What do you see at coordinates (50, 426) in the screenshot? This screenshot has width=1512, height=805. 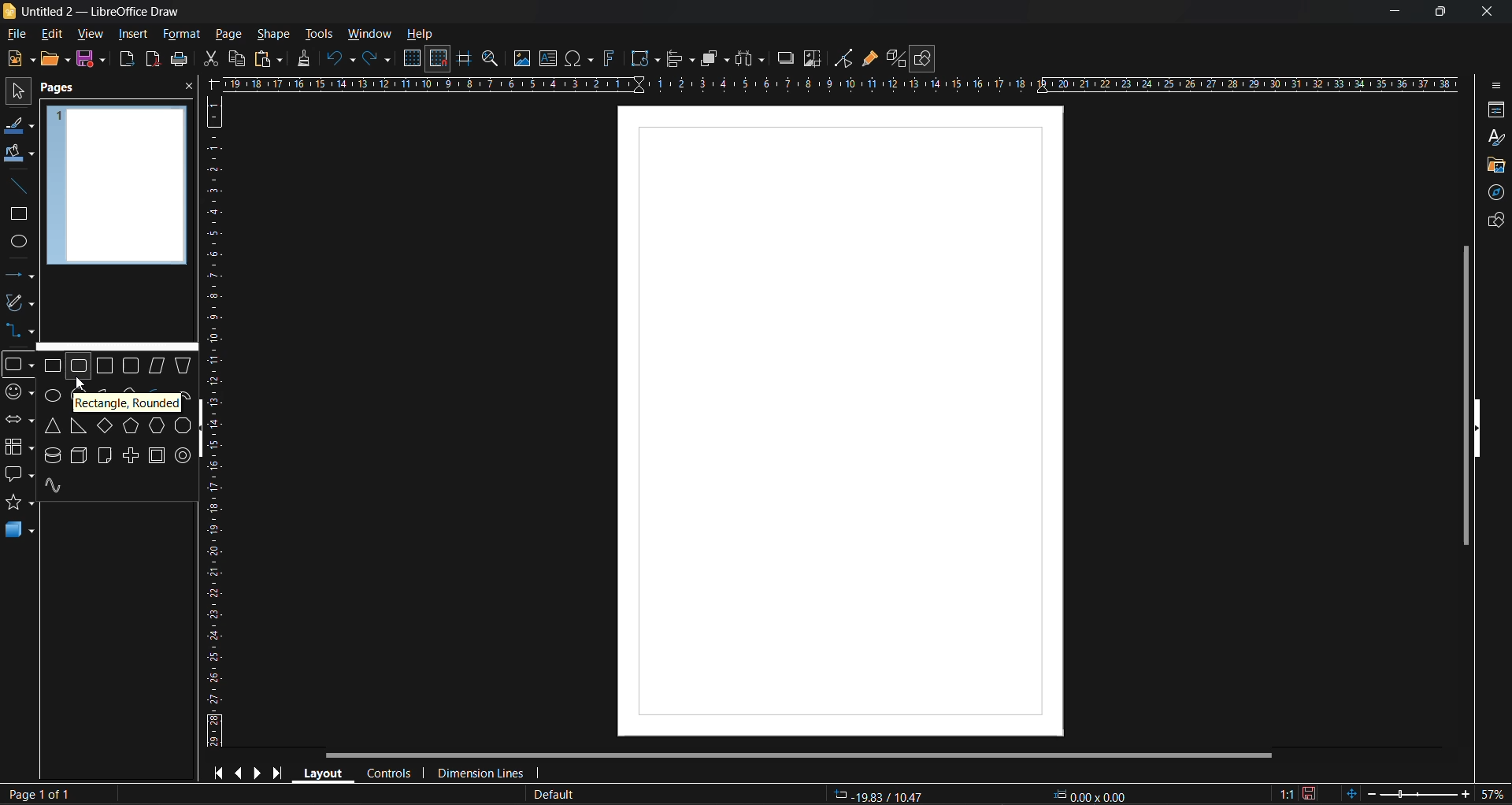 I see `isosceles` at bounding box center [50, 426].